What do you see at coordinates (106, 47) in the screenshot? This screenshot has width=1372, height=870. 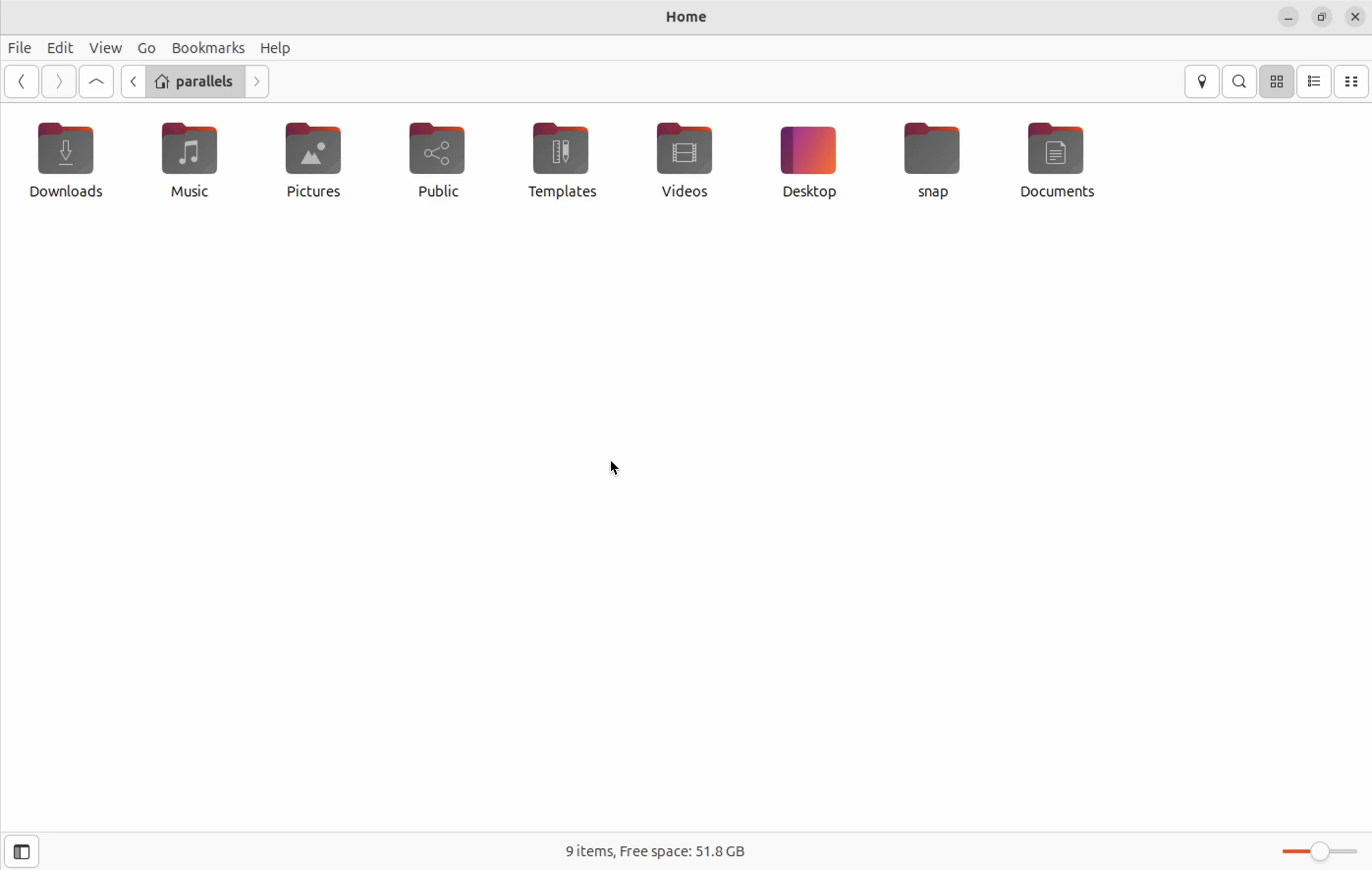 I see `view` at bounding box center [106, 47].